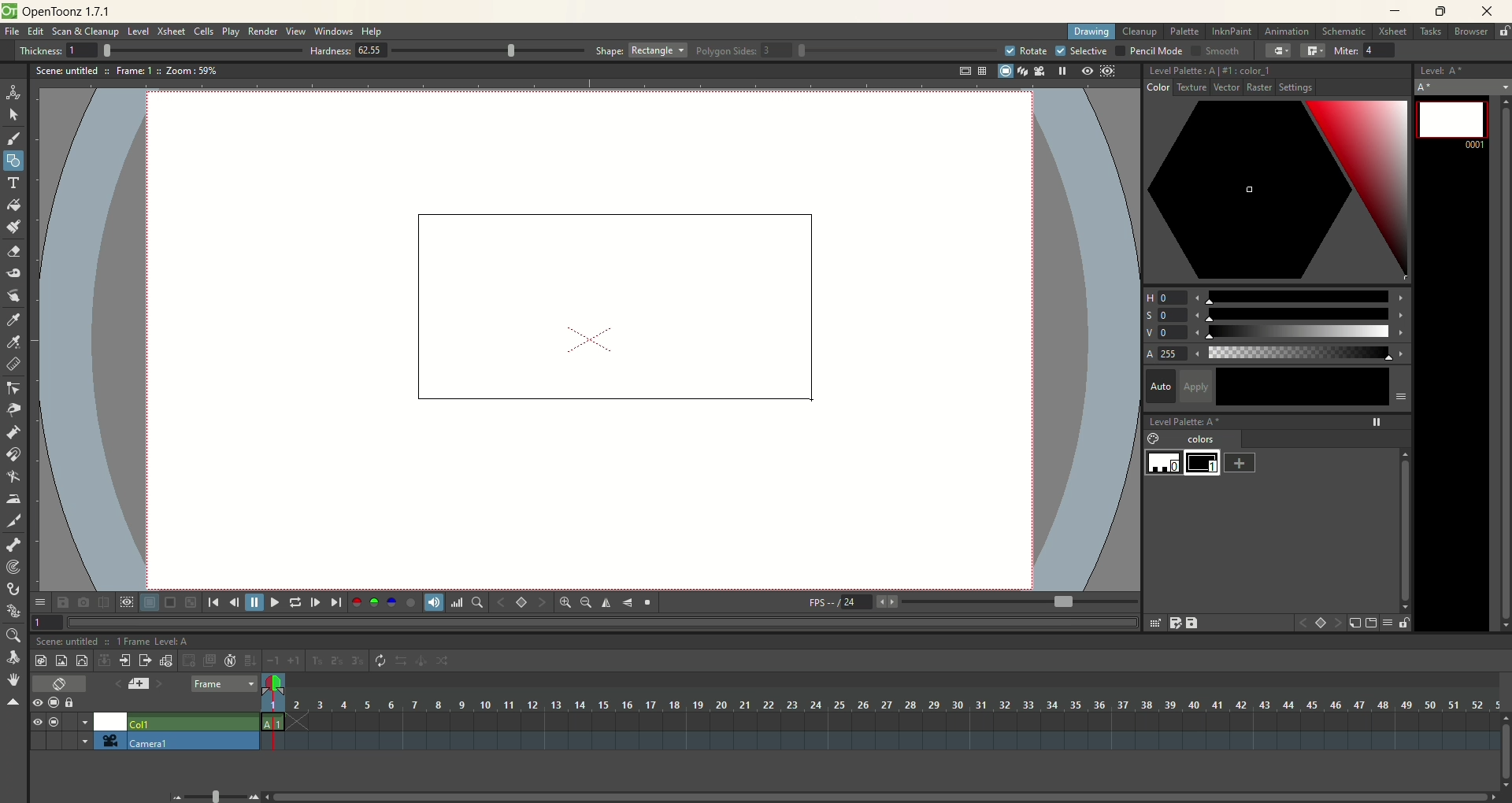 Image resolution: width=1512 pixels, height=803 pixels. I want to click on soundtrack, so click(432, 601).